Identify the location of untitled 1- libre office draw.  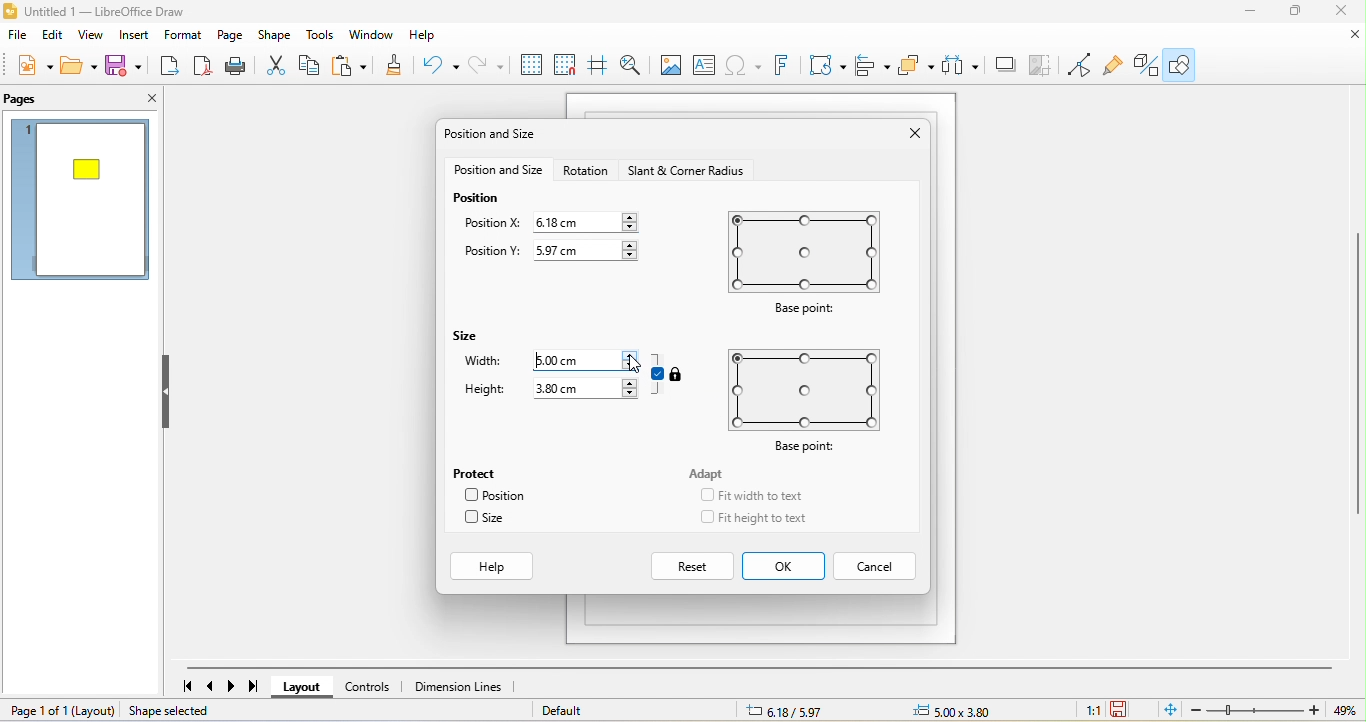
(120, 11).